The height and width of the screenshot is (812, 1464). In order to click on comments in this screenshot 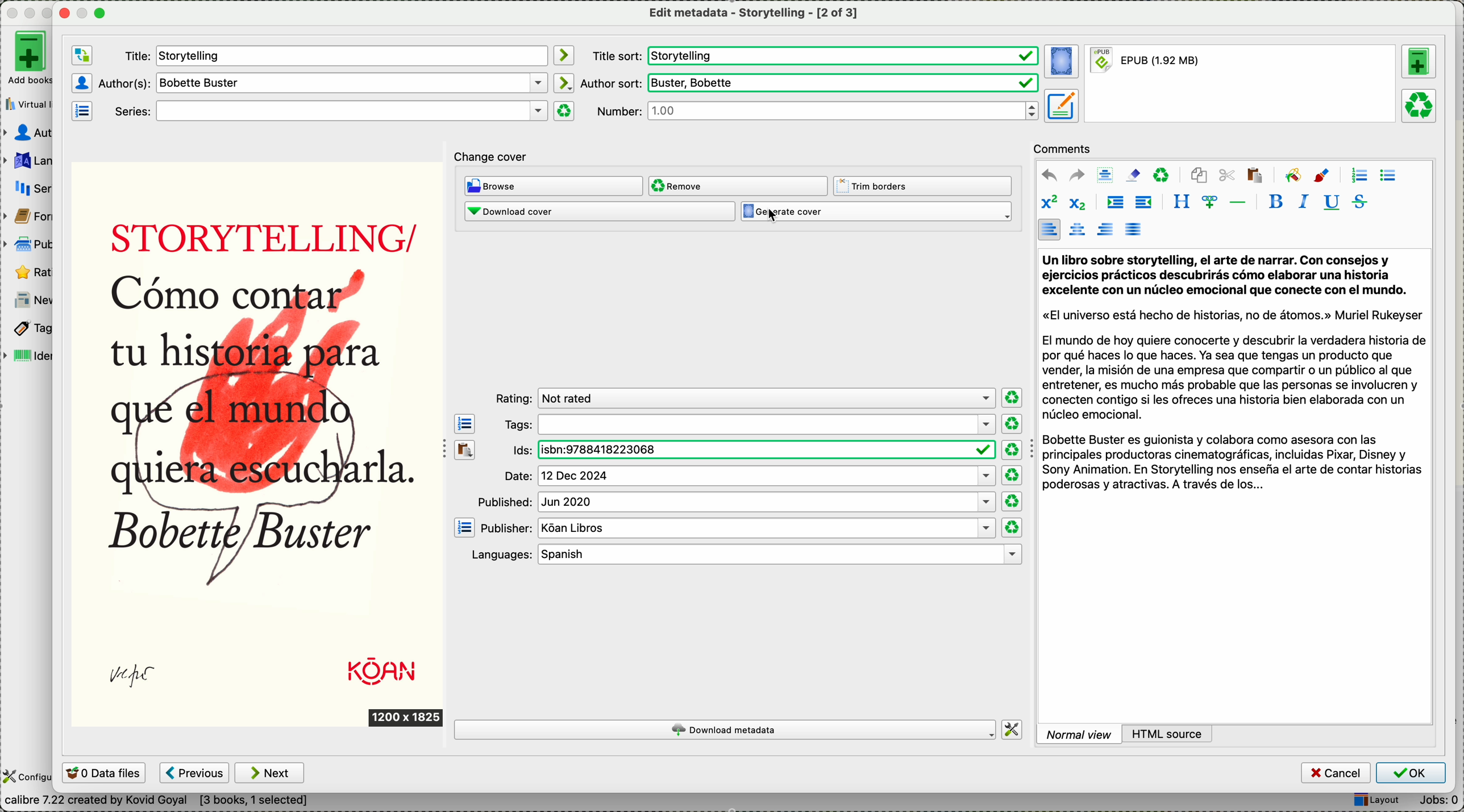, I will do `click(1064, 149)`.